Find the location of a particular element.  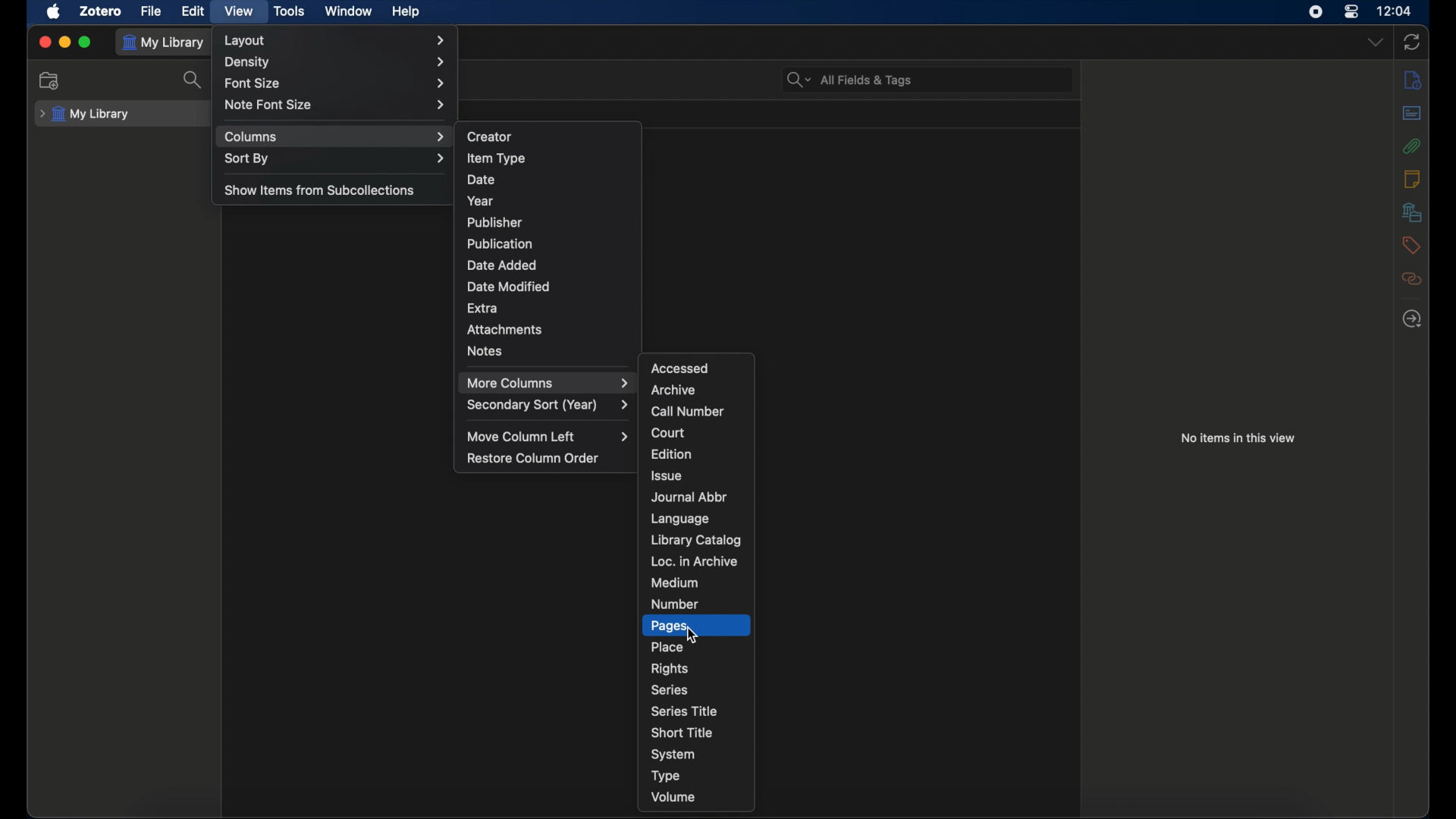

extra is located at coordinates (482, 307).